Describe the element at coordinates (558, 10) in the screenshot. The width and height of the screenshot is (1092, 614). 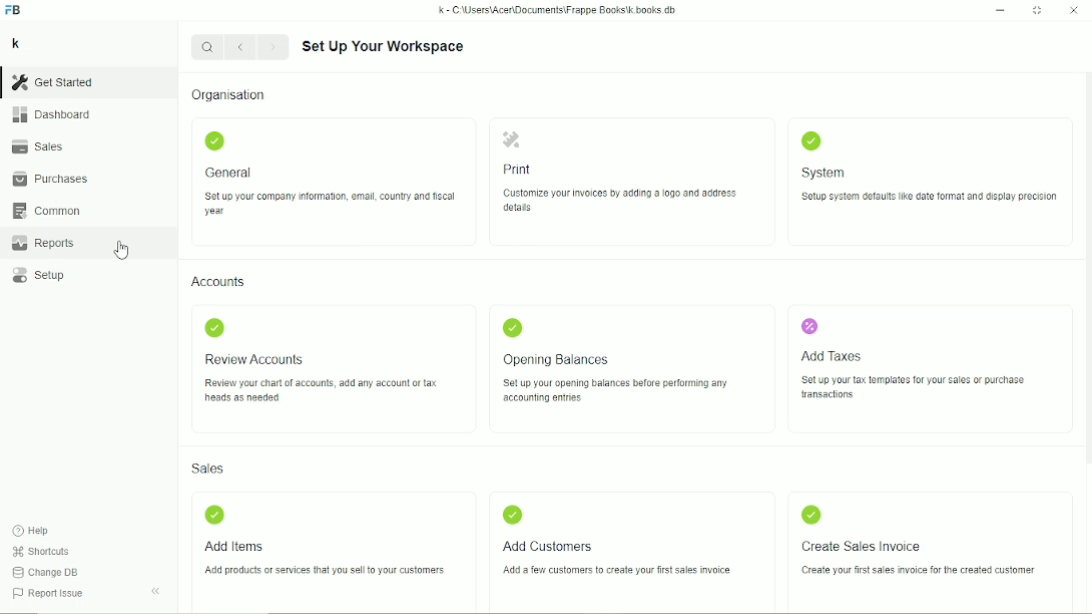
I see `k - C:\Users\Acer\Documents\Frappe books\k.books.db` at that location.